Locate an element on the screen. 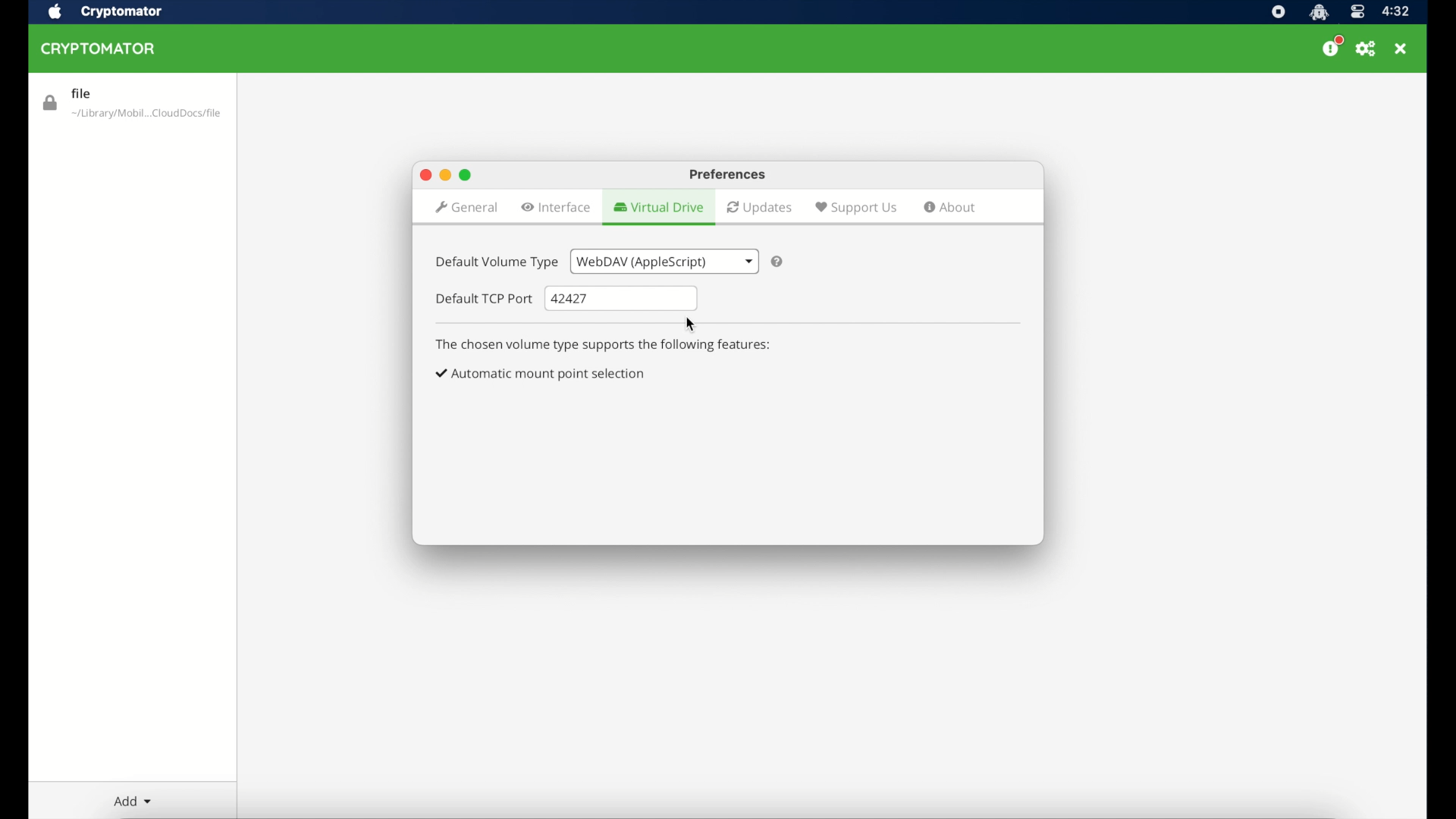 This screenshot has width=1456, height=819. 42427 is located at coordinates (622, 299).